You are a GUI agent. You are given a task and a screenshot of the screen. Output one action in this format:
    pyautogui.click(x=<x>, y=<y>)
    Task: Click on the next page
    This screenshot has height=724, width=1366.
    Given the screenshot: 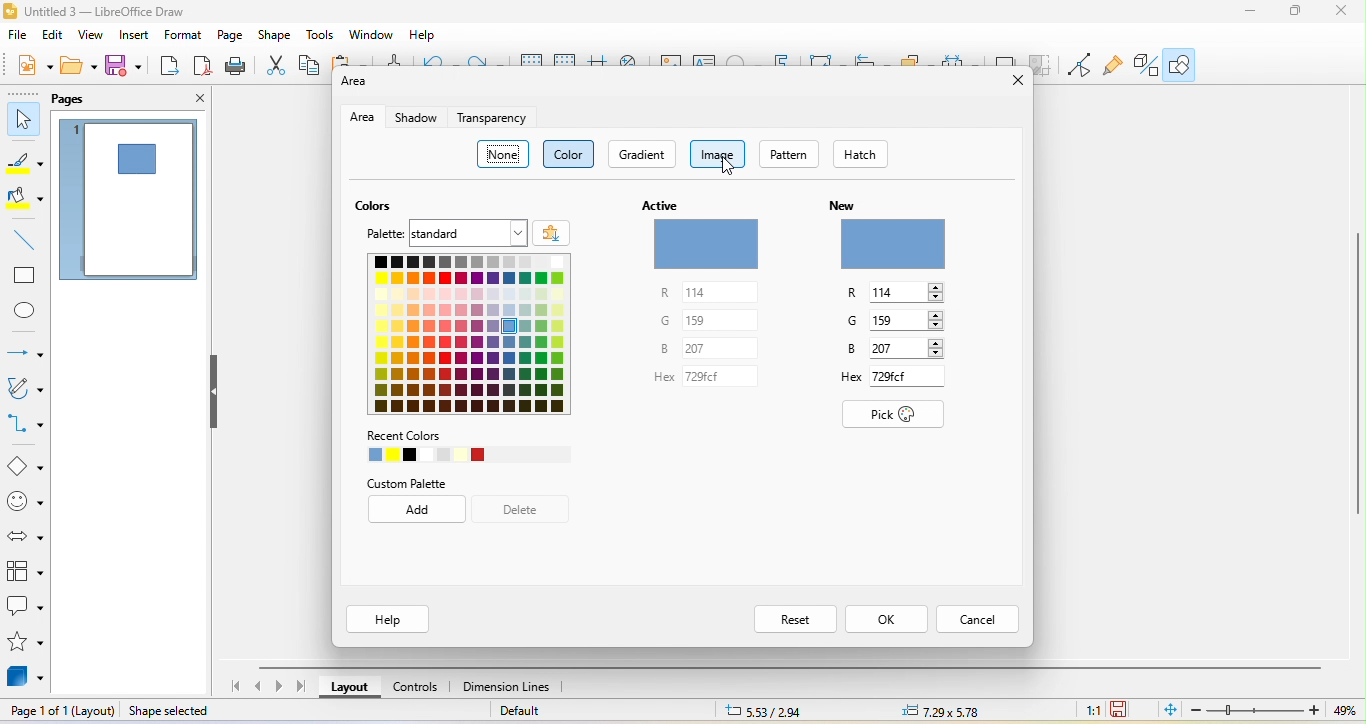 What is the action you would take?
    pyautogui.click(x=280, y=686)
    